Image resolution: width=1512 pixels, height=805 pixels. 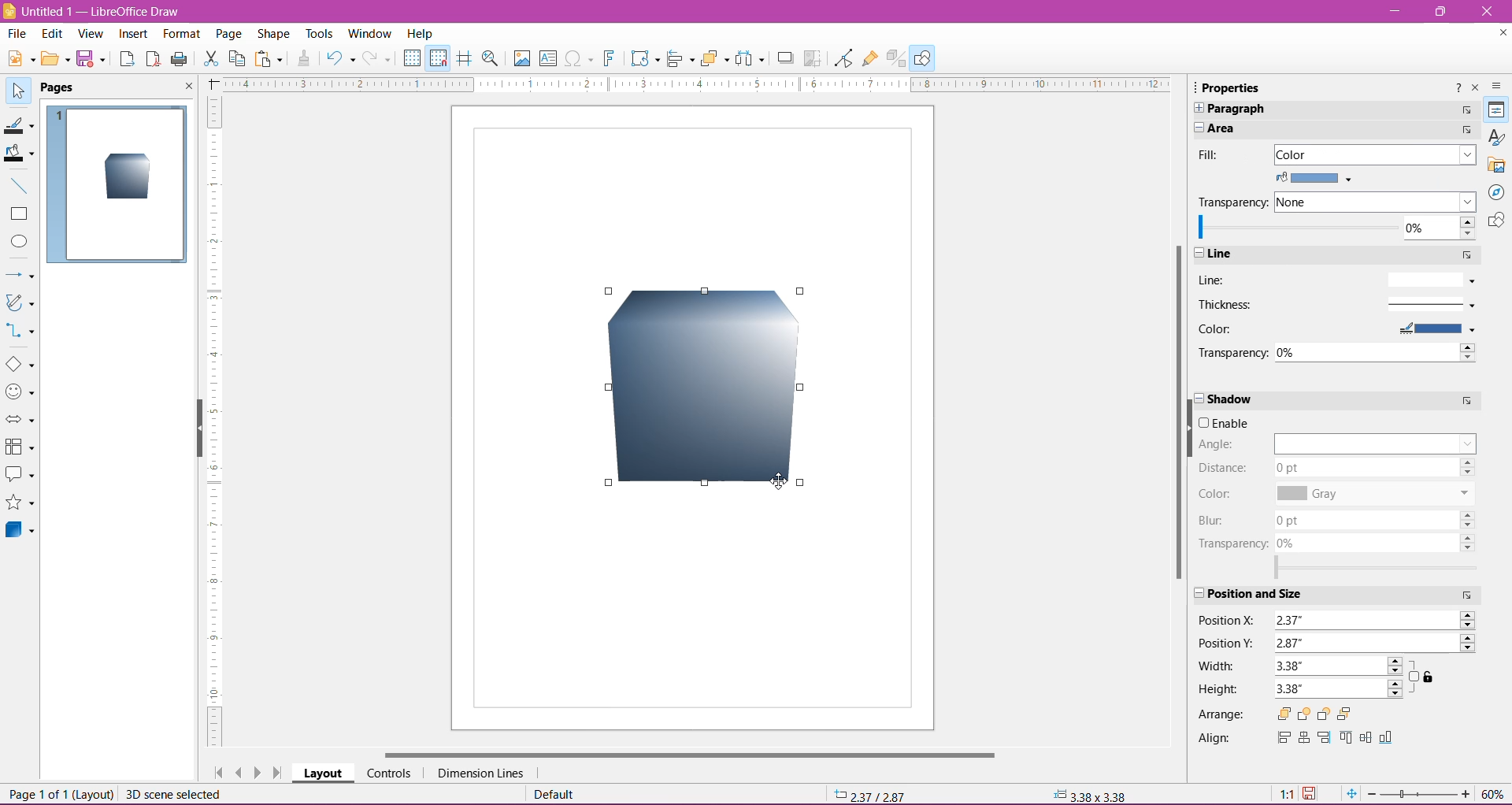 I want to click on Insert Text Box, so click(x=548, y=57).